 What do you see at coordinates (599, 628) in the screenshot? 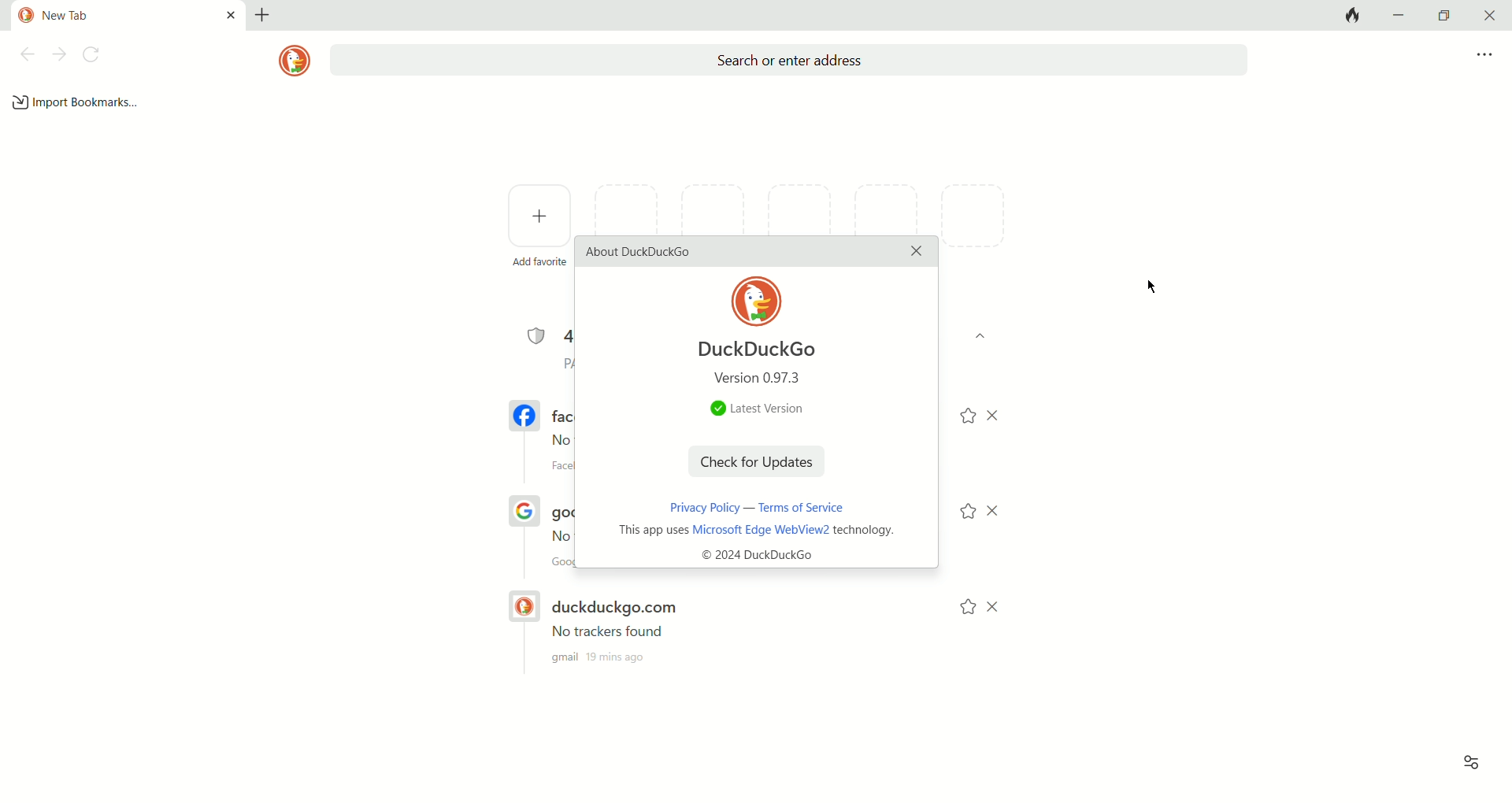
I see `No trackers found` at bounding box center [599, 628].